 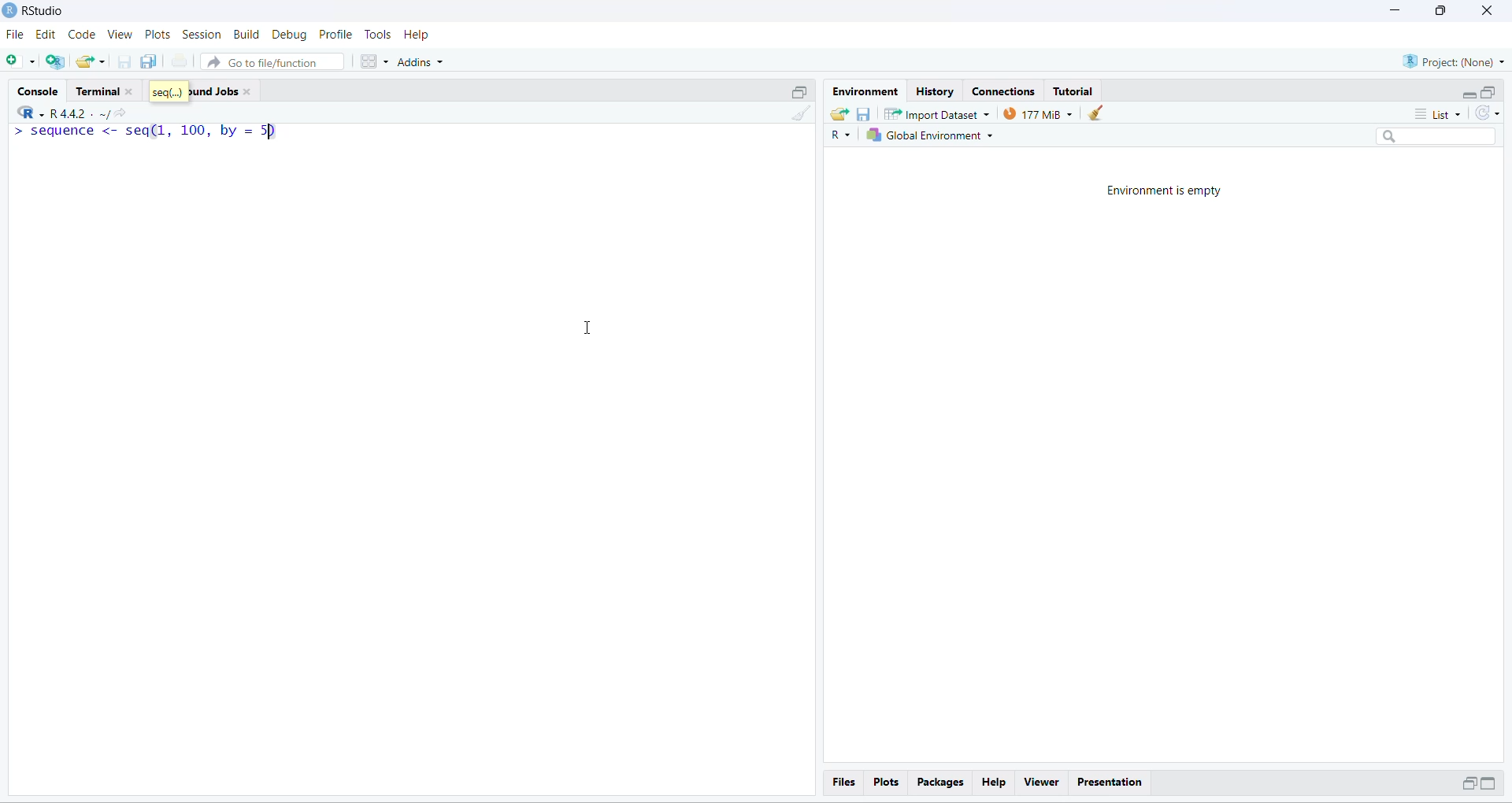 What do you see at coordinates (55, 62) in the screenshot?
I see `add R file` at bounding box center [55, 62].